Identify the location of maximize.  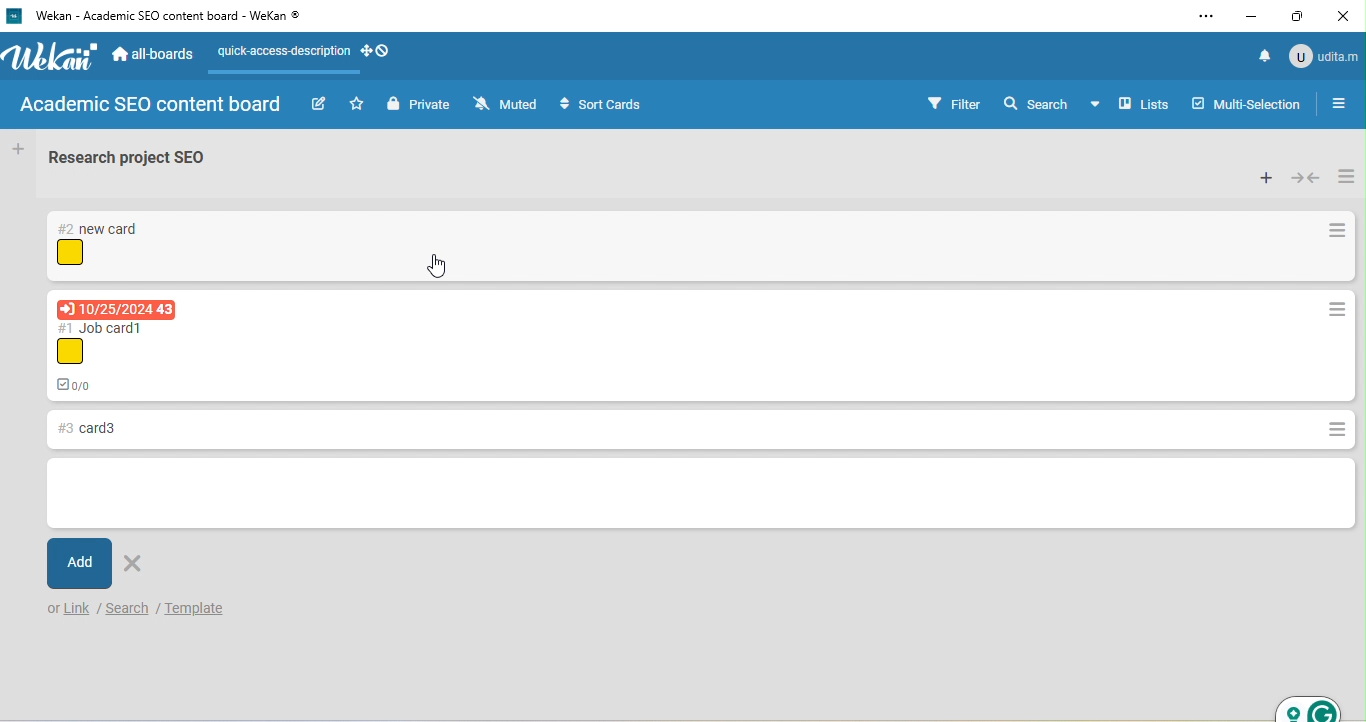
(1300, 18).